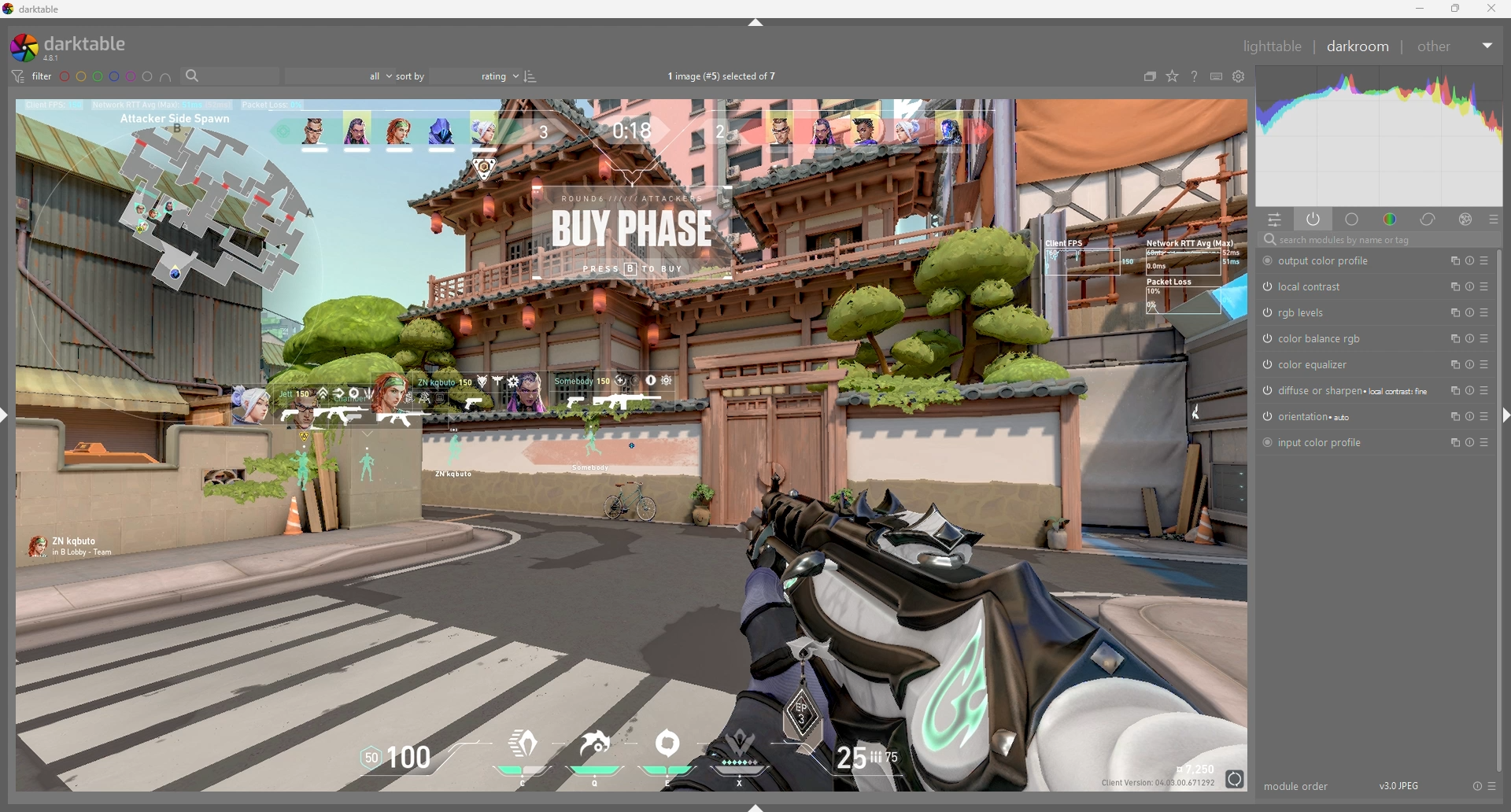  I want to click on other, so click(1455, 45).